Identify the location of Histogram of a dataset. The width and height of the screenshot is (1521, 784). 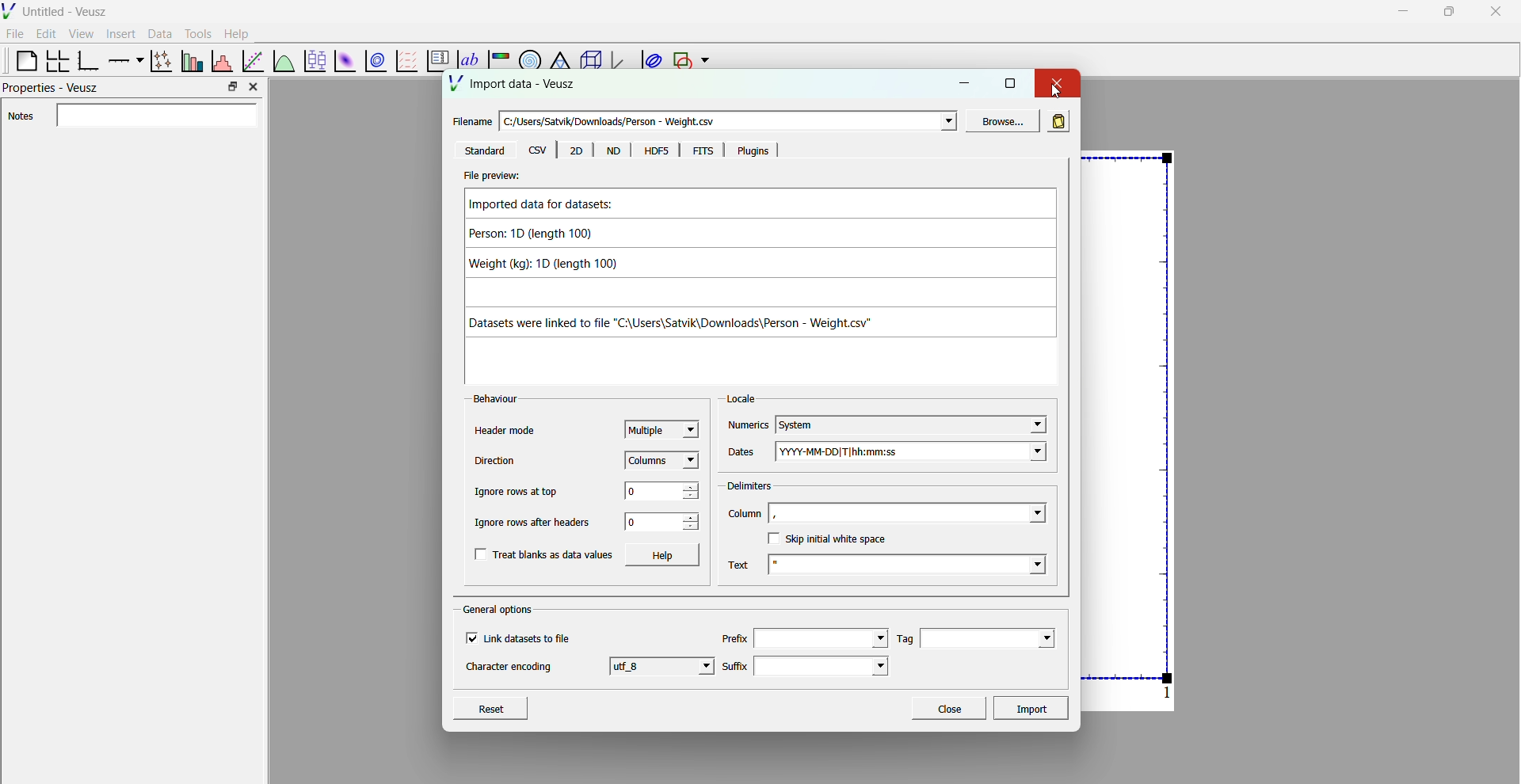
(221, 59).